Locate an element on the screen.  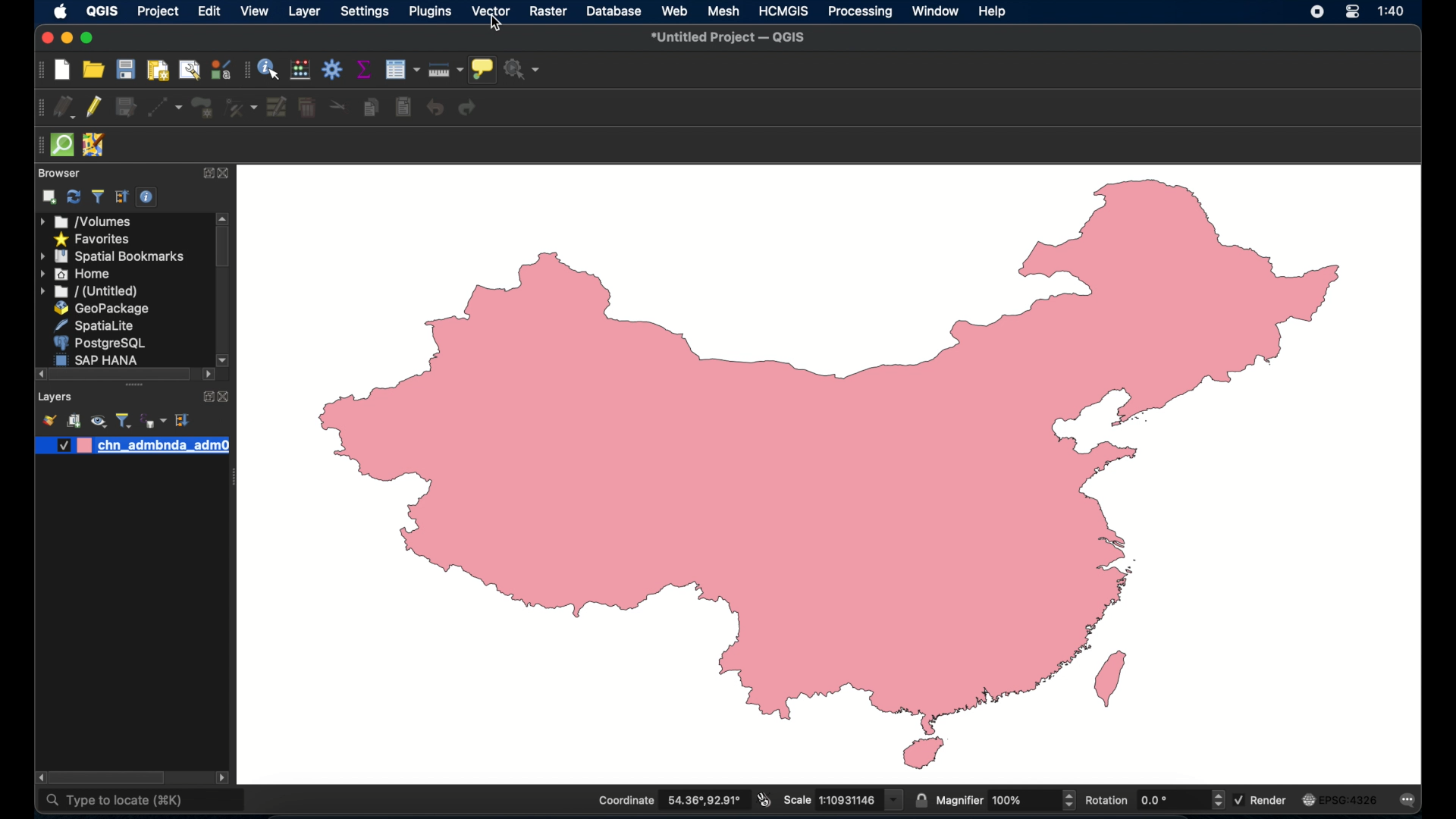
cut features is located at coordinates (337, 106).